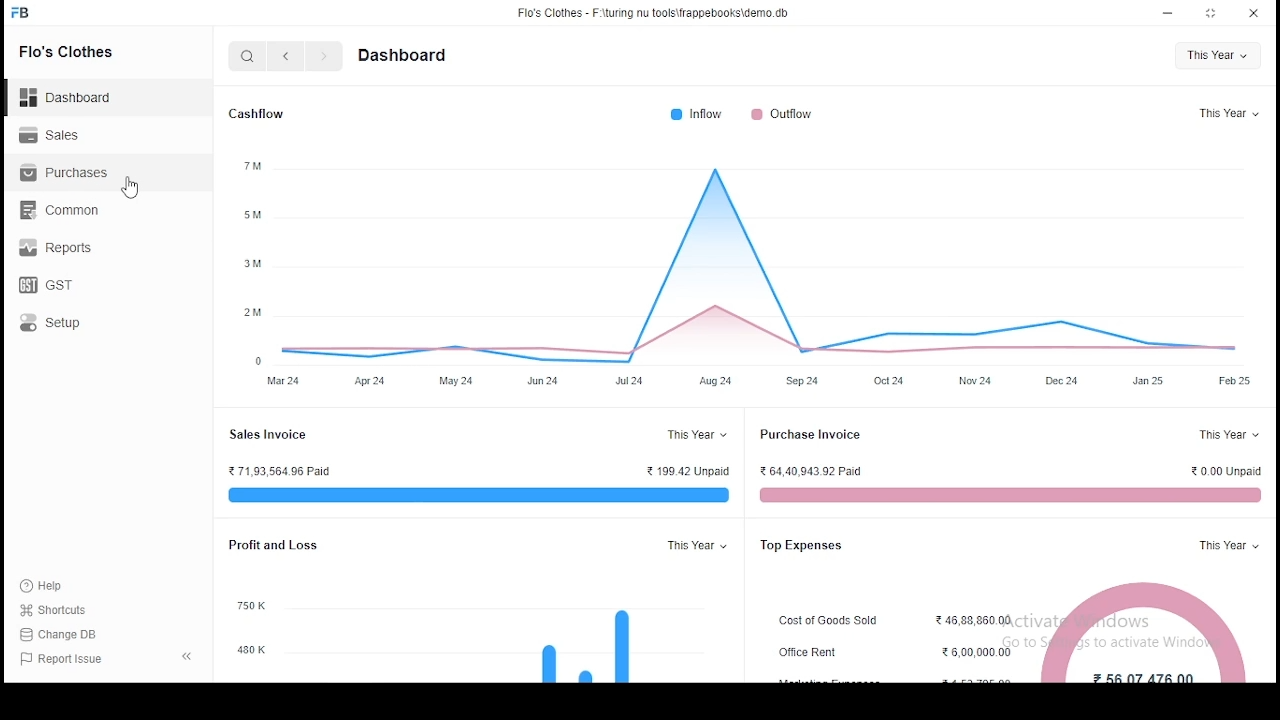 This screenshot has height=720, width=1280. Describe the element at coordinates (696, 114) in the screenshot. I see `inflow legend` at that location.